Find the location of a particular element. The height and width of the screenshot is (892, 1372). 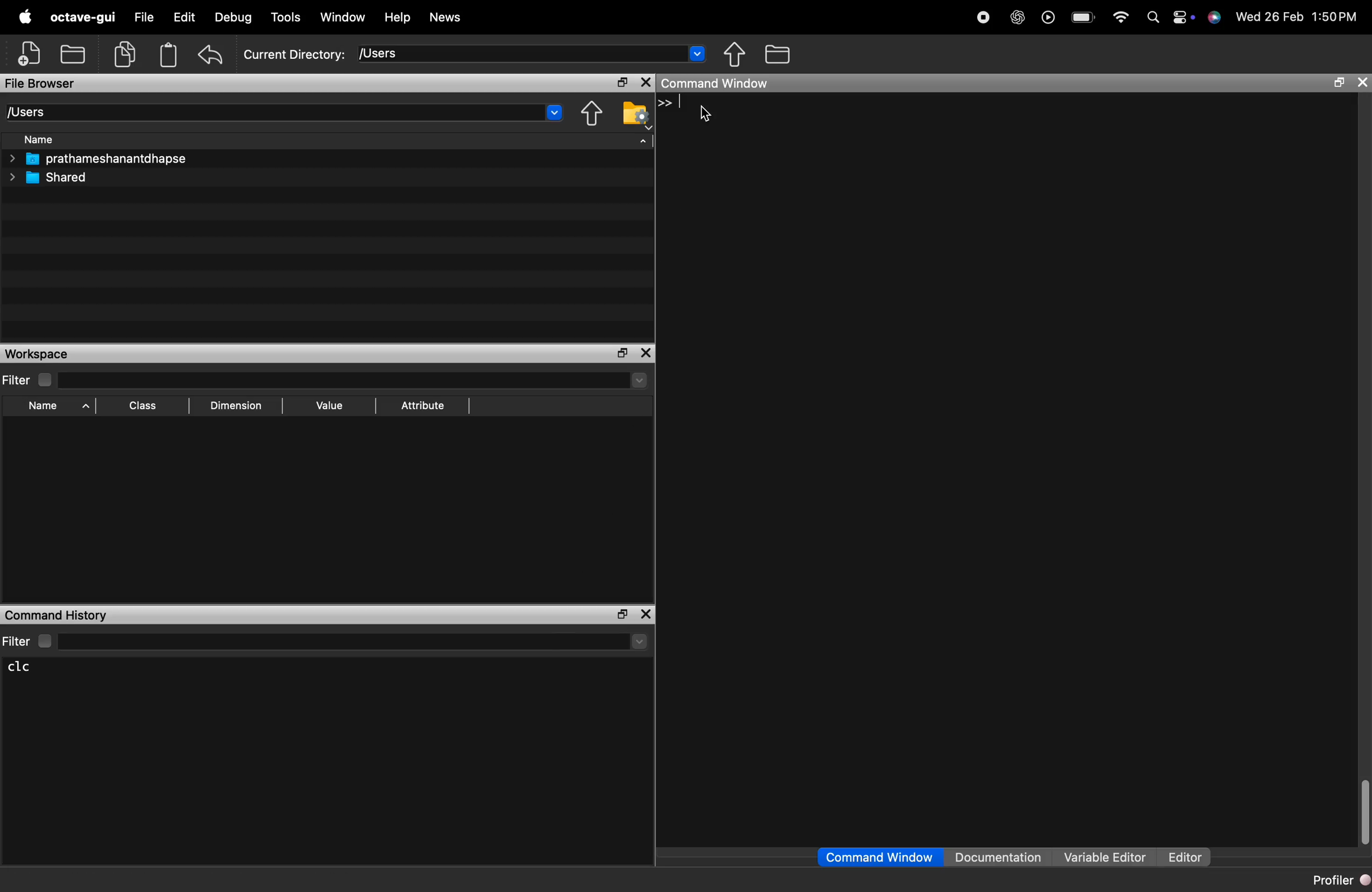

Shared is located at coordinates (51, 177).